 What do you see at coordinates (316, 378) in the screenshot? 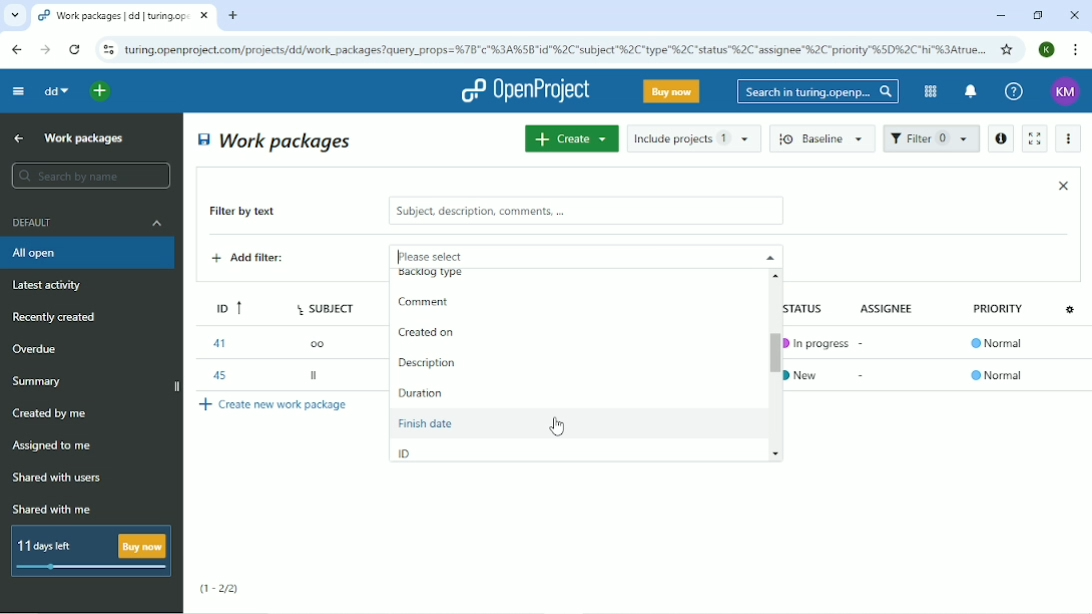
I see `ll` at bounding box center [316, 378].